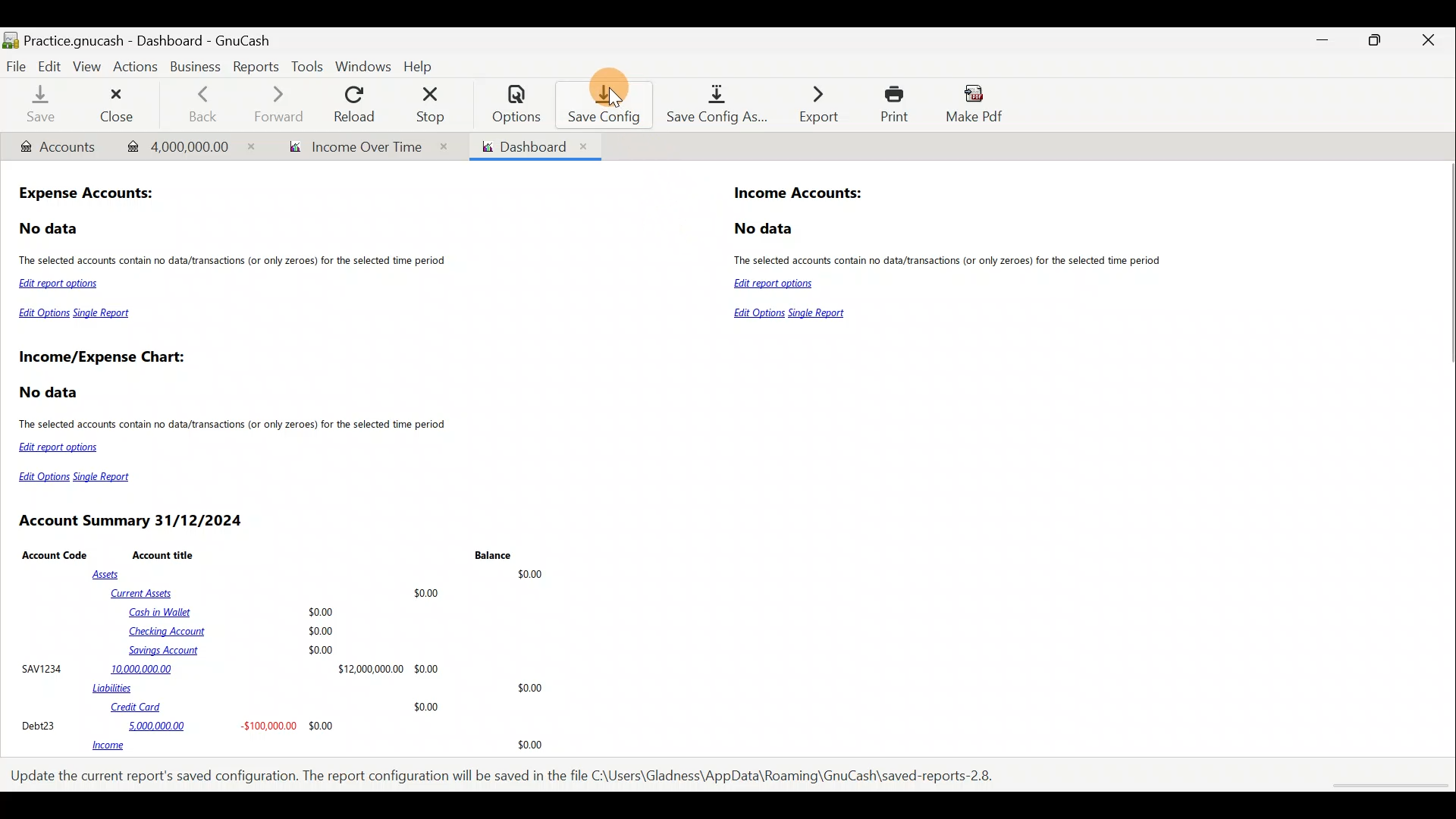  I want to click on Save config as, so click(712, 105).